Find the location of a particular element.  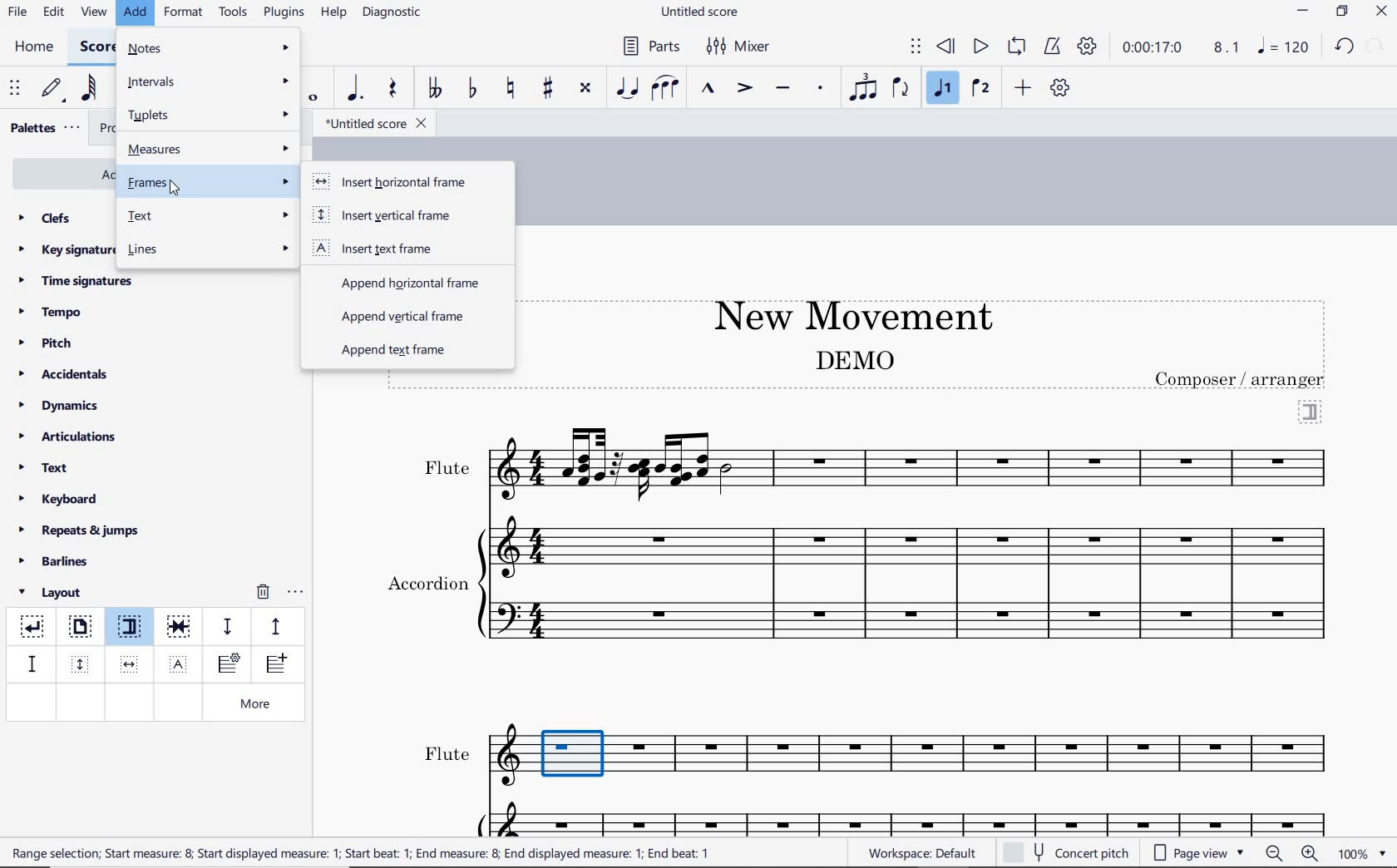

redo is located at coordinates (1377, 45).